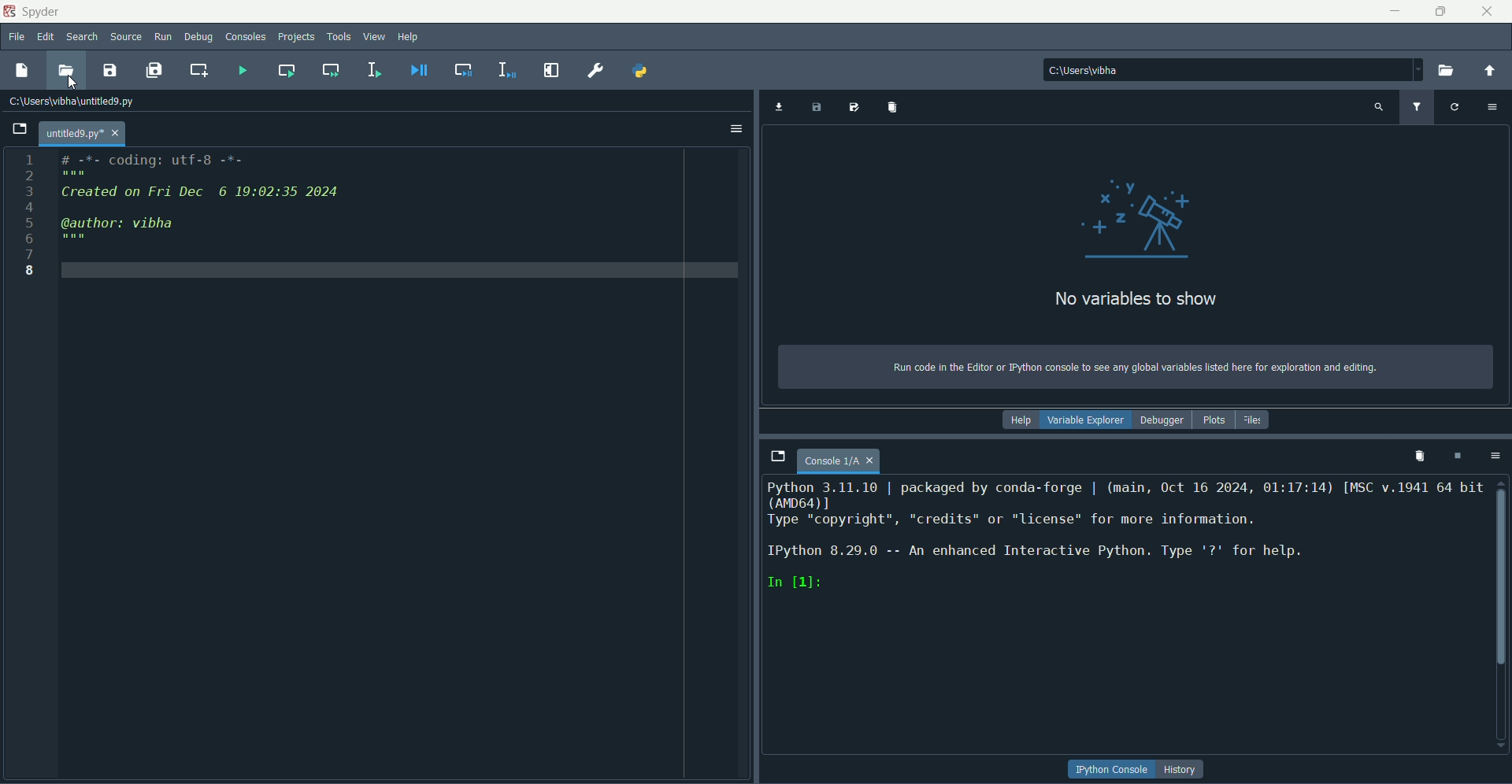 The image size is (1512, 784). Describe the element at coordinates (246, 37) in the screenshot. I see `consoles` at that location.